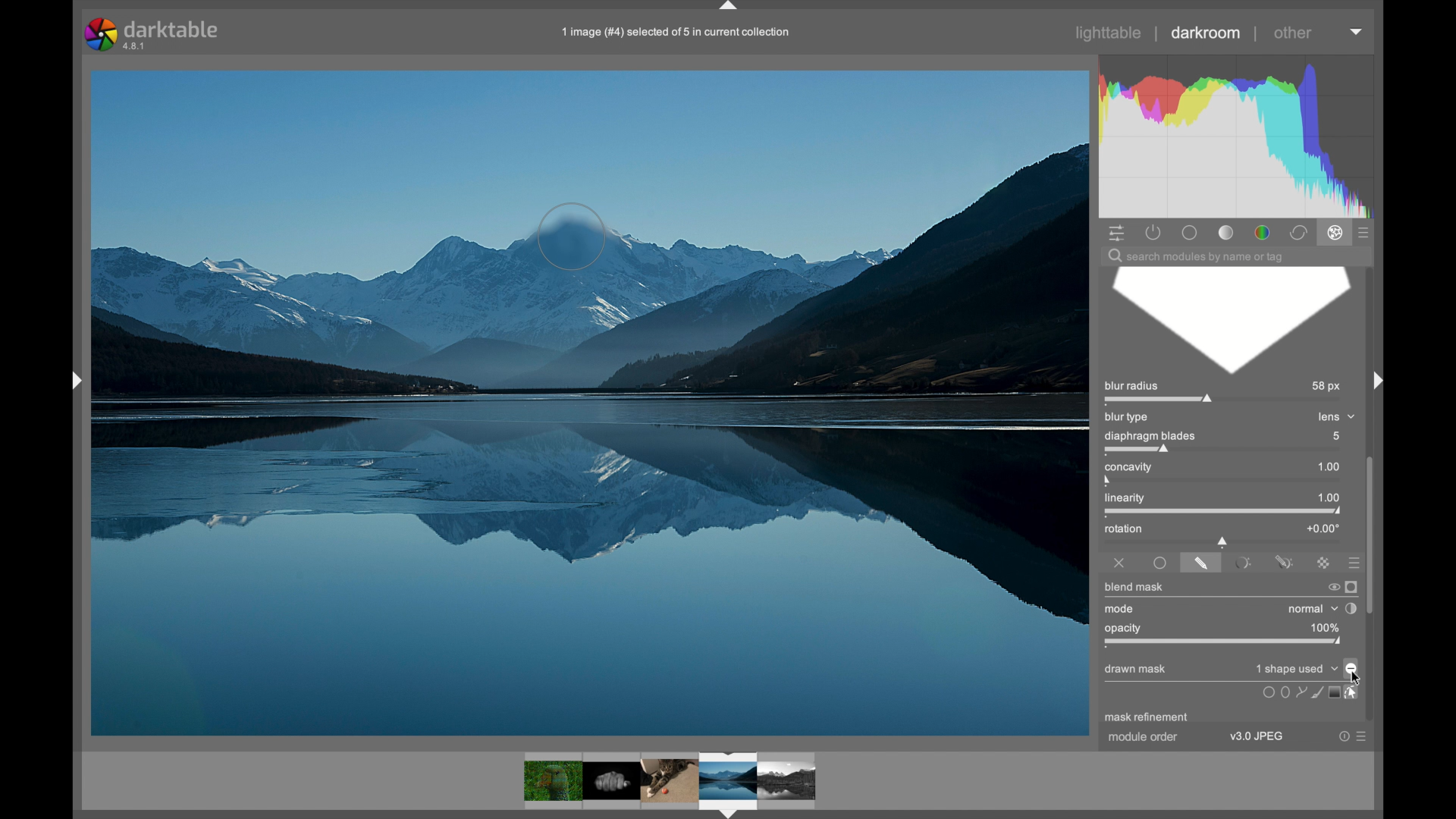 This screenshot has width=1456, height=819. I want to click on 1.00, so click(1330, 497).